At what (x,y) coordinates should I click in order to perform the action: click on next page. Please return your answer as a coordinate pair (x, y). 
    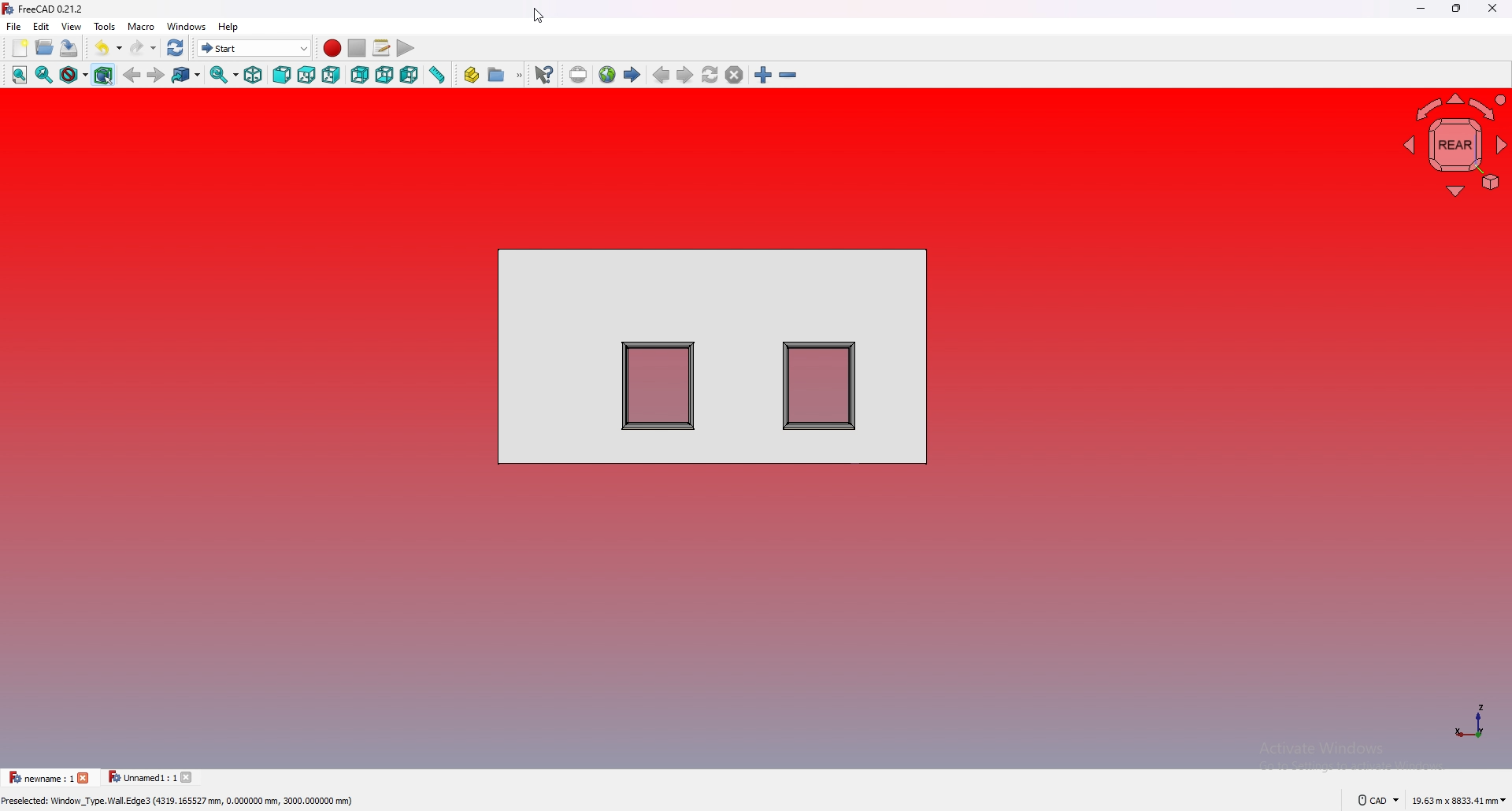
    Looking at the image, I should click on (684, 75).